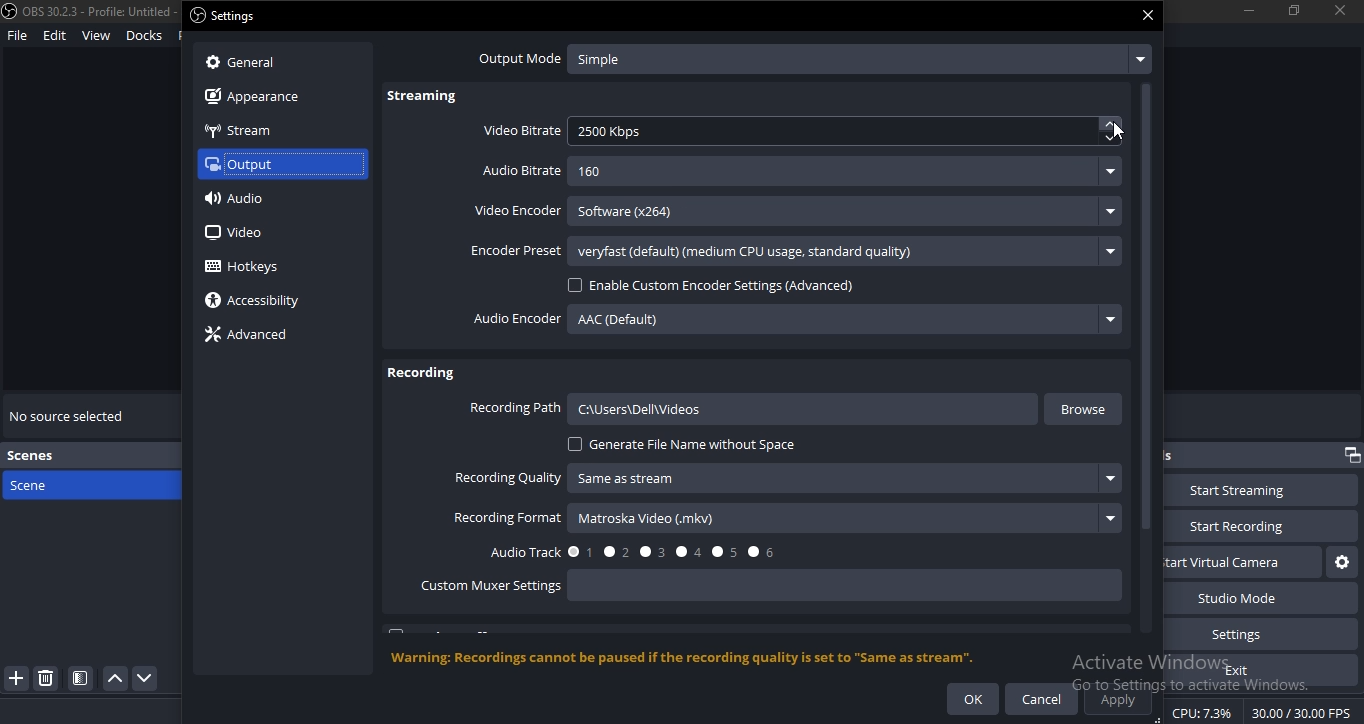 The height and width of the screenshot is (724, 1364). I want to click on cursor, so click(1124, 132).